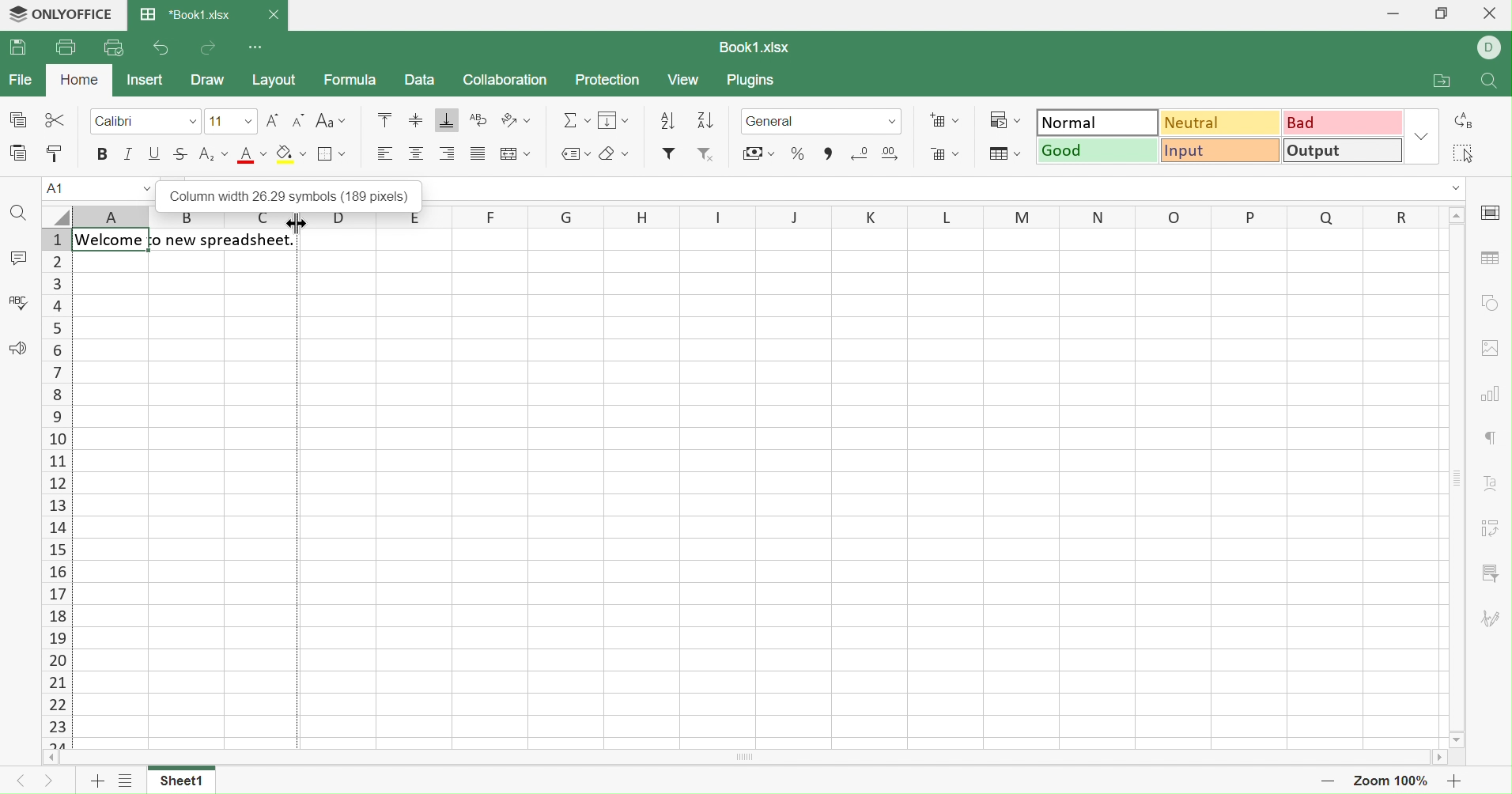 The width and height of the screenshot is (1512, 794). Describe the element at coordinates (415, 154) in the screenshot. I see `Align` at that location.